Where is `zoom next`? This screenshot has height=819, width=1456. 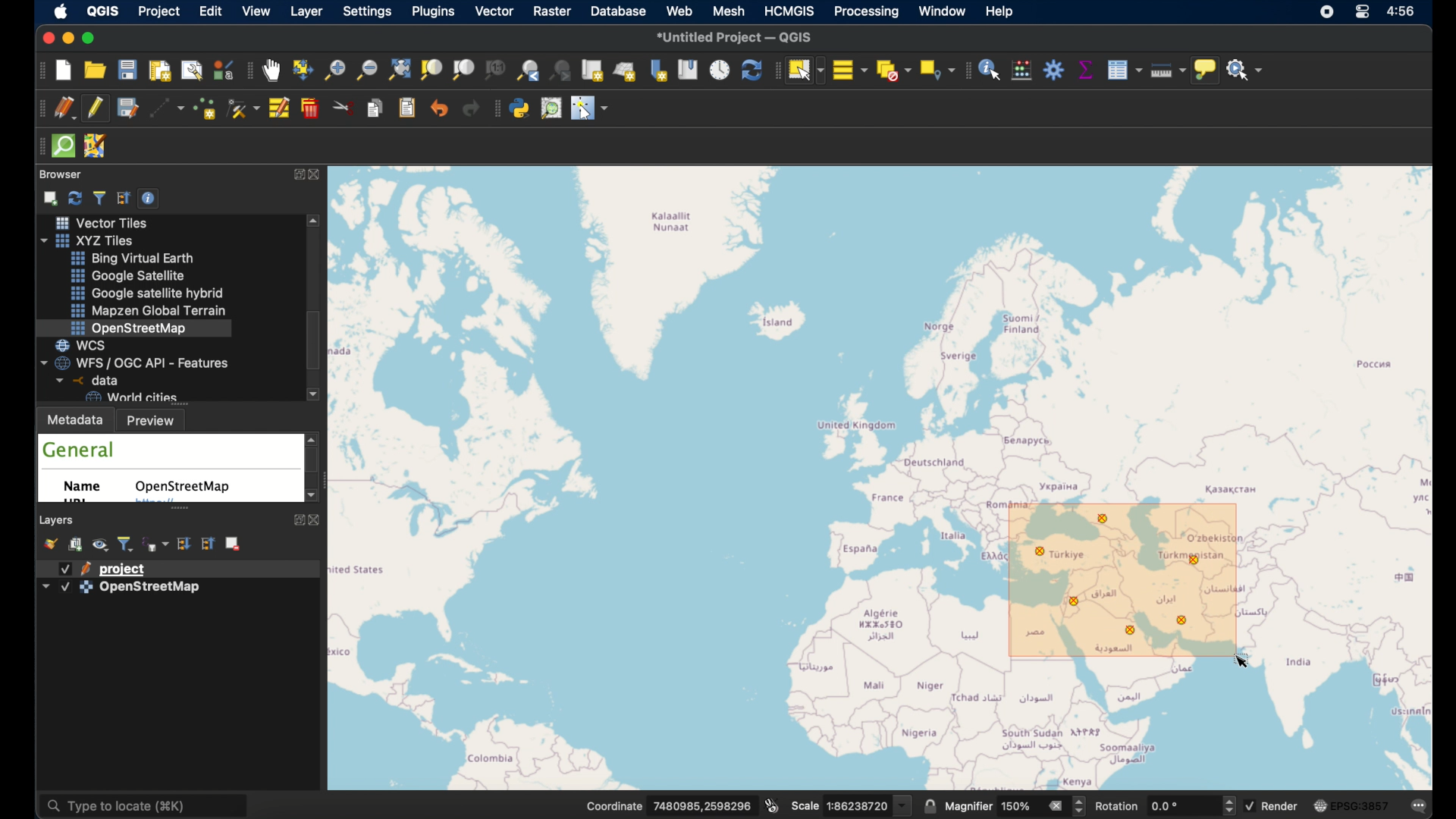
zoom next is located at coordinates (562, 71).